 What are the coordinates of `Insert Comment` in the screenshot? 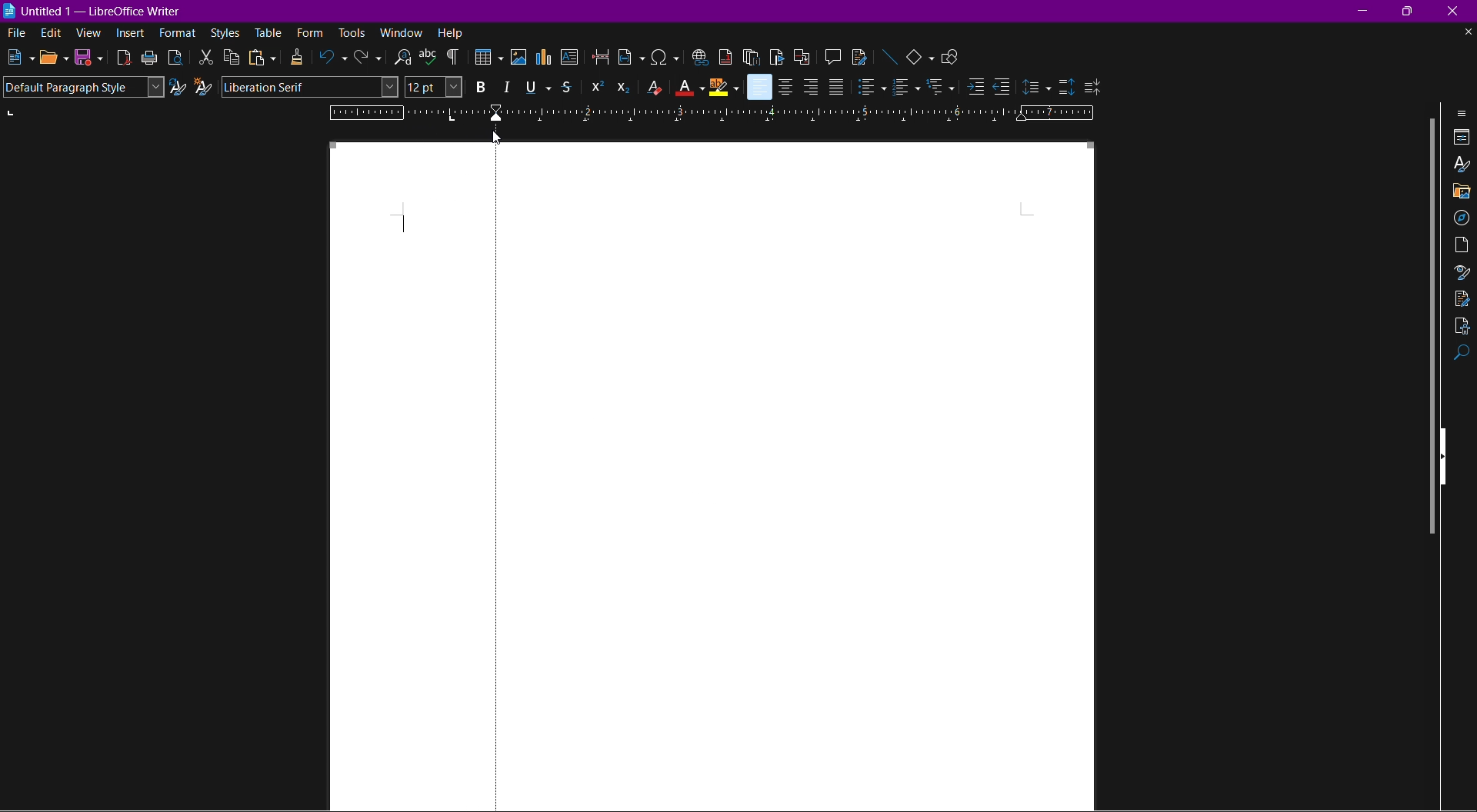 It's located at (829, 55).